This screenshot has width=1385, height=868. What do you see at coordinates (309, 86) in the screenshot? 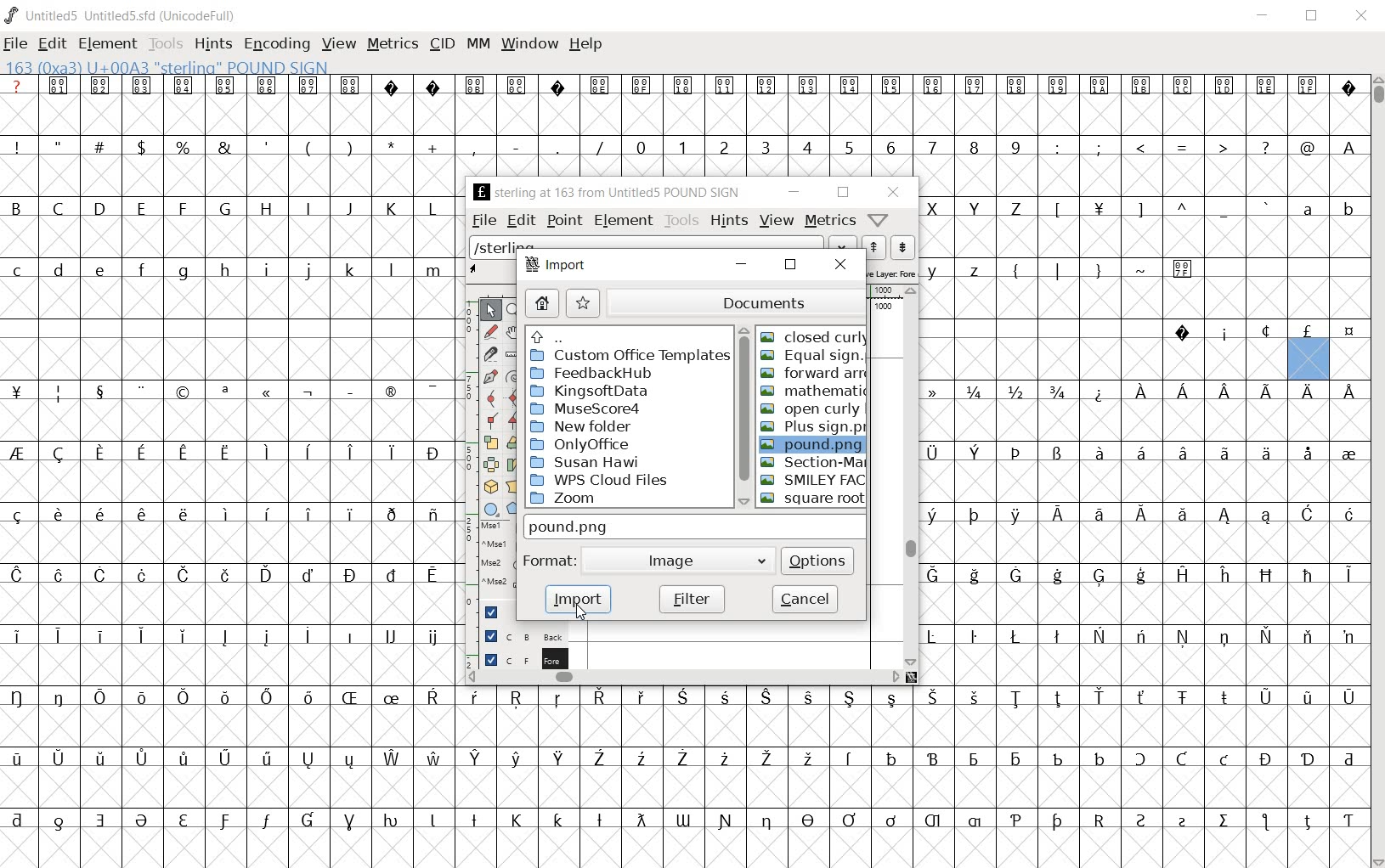
I see `Symbol` at bounding box center [309, 86].